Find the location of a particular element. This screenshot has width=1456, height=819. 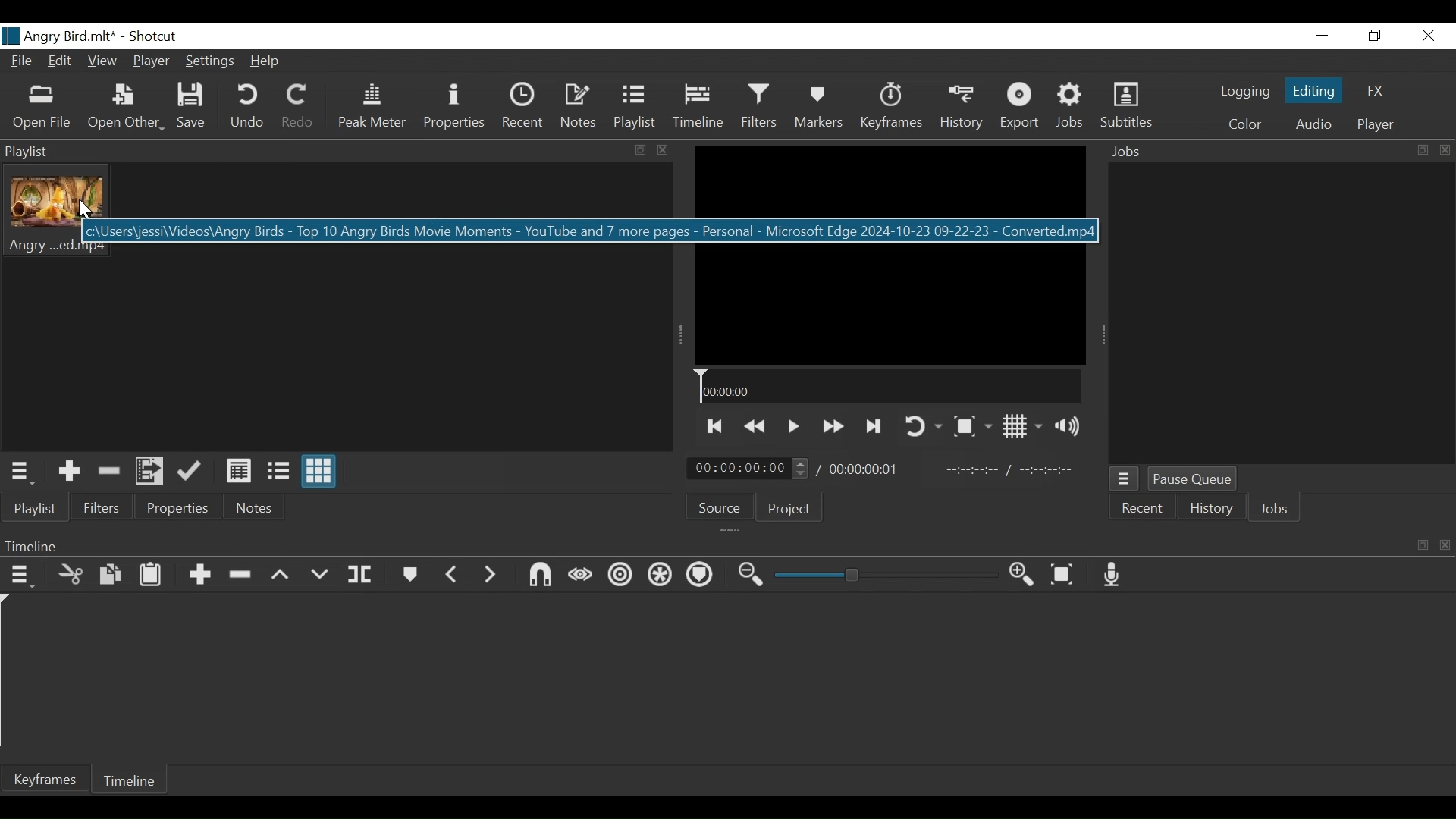

Save is located at coordinates (190, 106).